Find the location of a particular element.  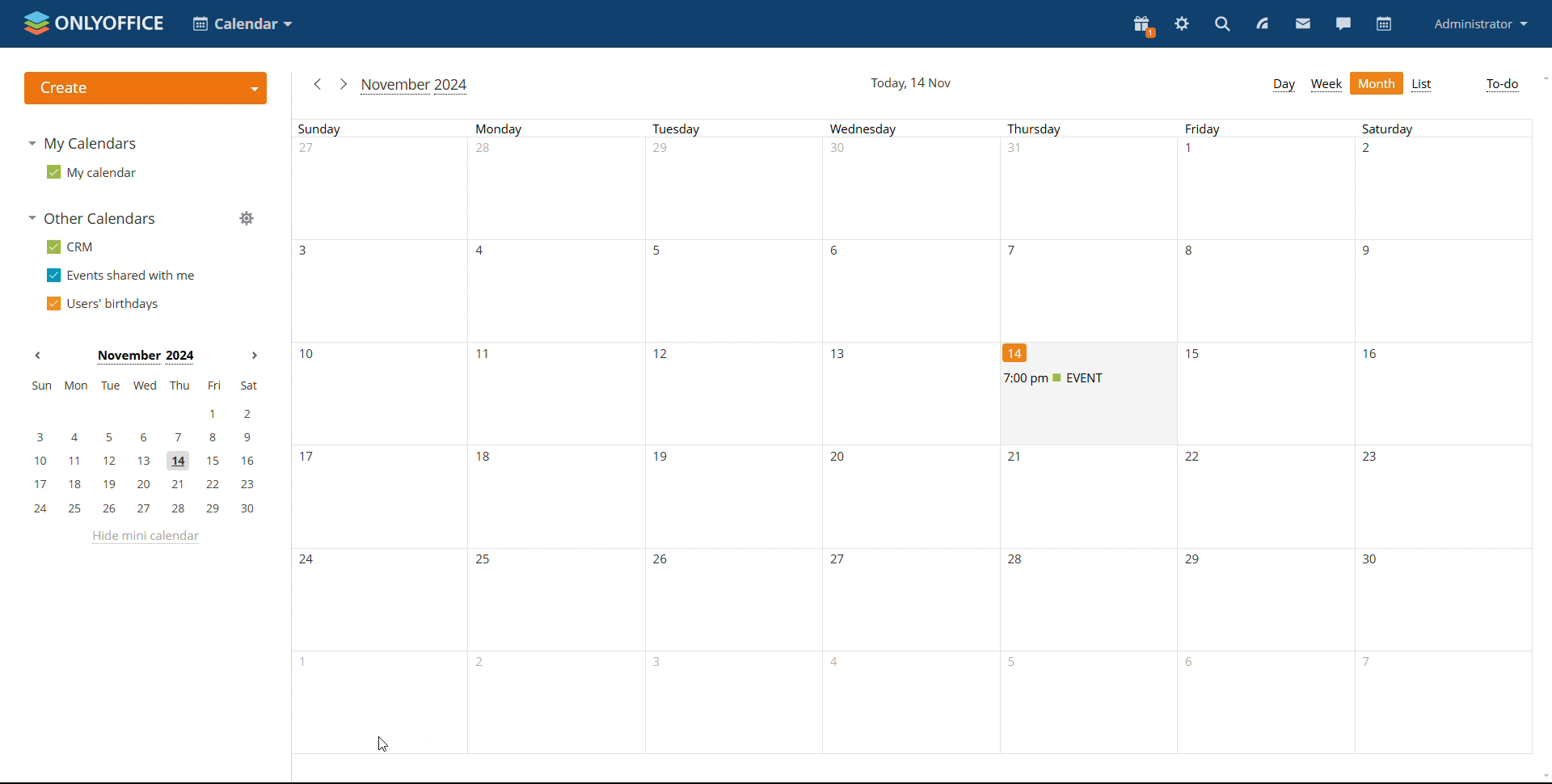

to-do is located at coordinates (1502, 86).